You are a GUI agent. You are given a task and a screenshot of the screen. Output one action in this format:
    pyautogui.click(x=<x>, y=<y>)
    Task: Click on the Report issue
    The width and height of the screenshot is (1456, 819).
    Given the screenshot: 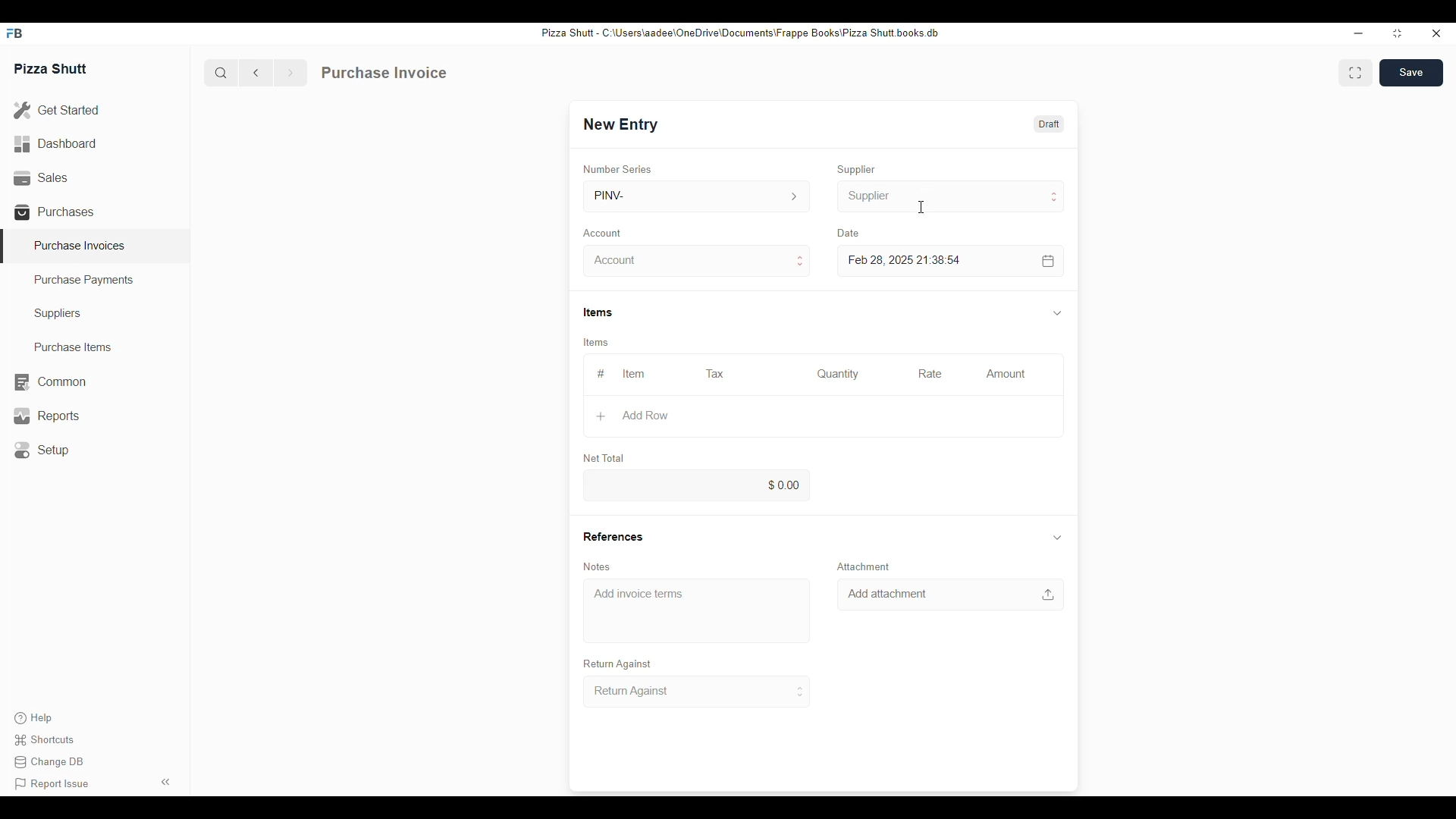 What is the action you would take?
    pyautogui.click(x=52, y=784)
    